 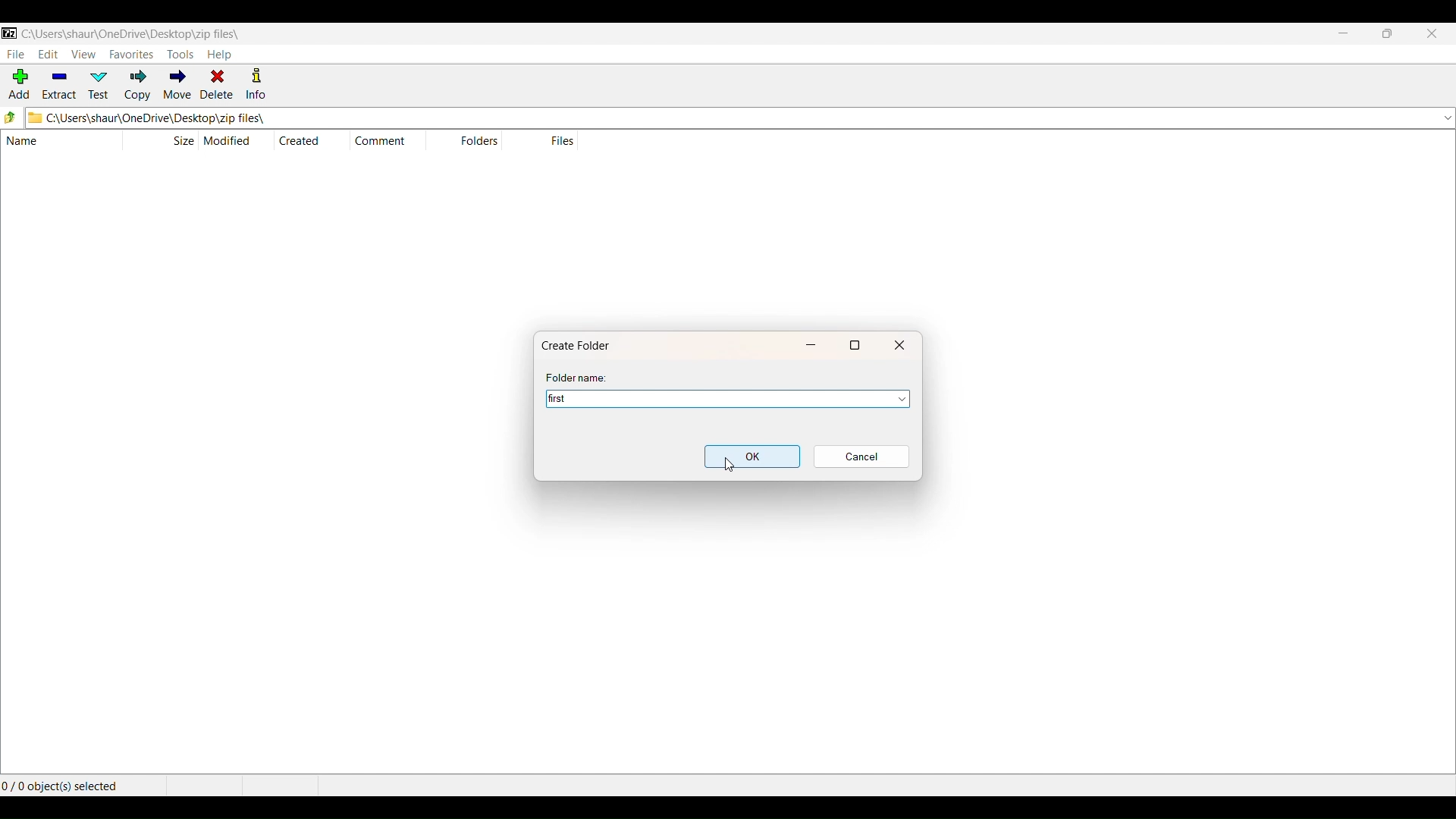 I want to click on "first" - new folder name , so click(x=703, y=399).